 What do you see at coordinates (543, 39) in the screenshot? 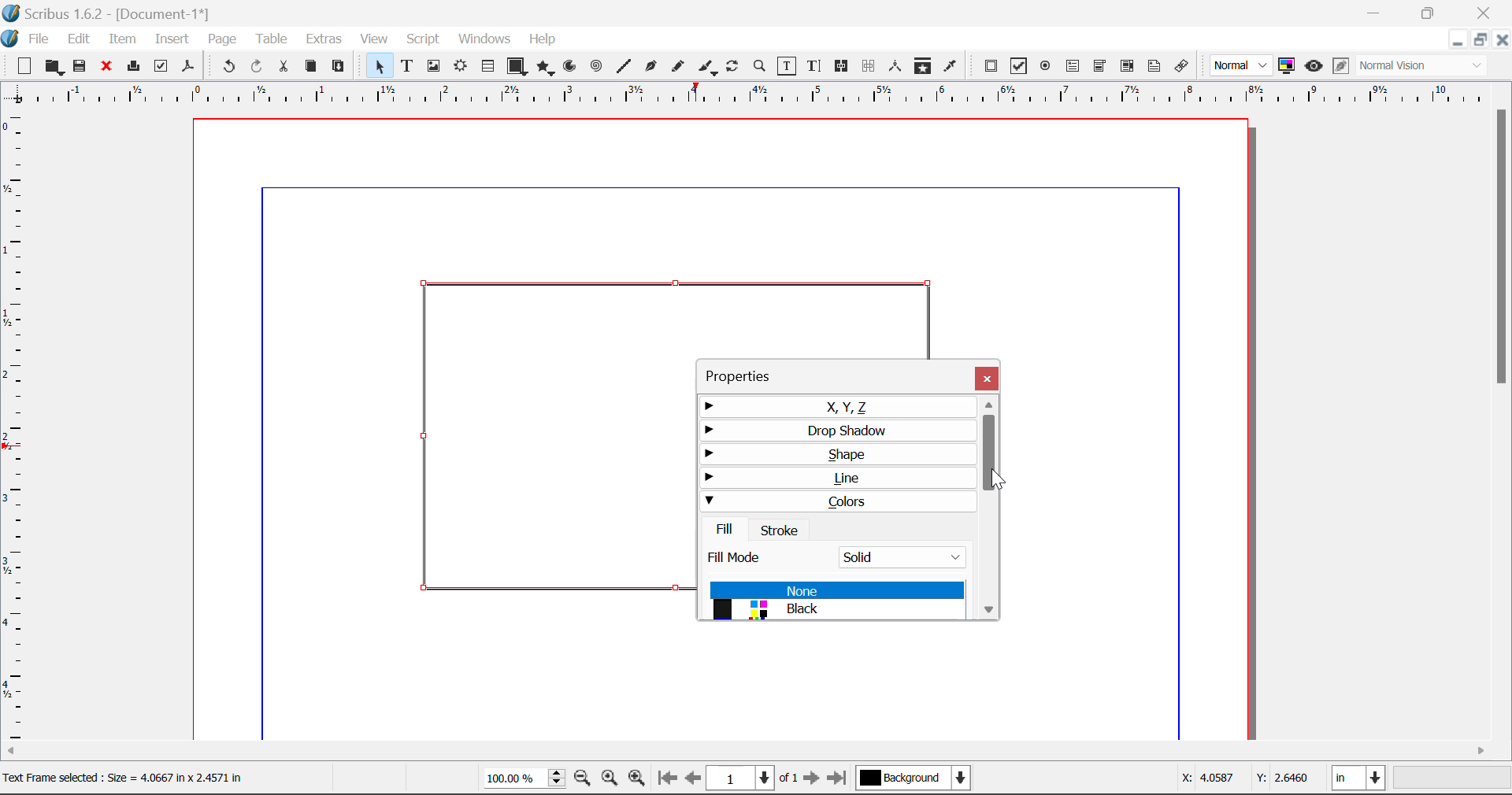
I see `Help` at bounding box center [543, 39].